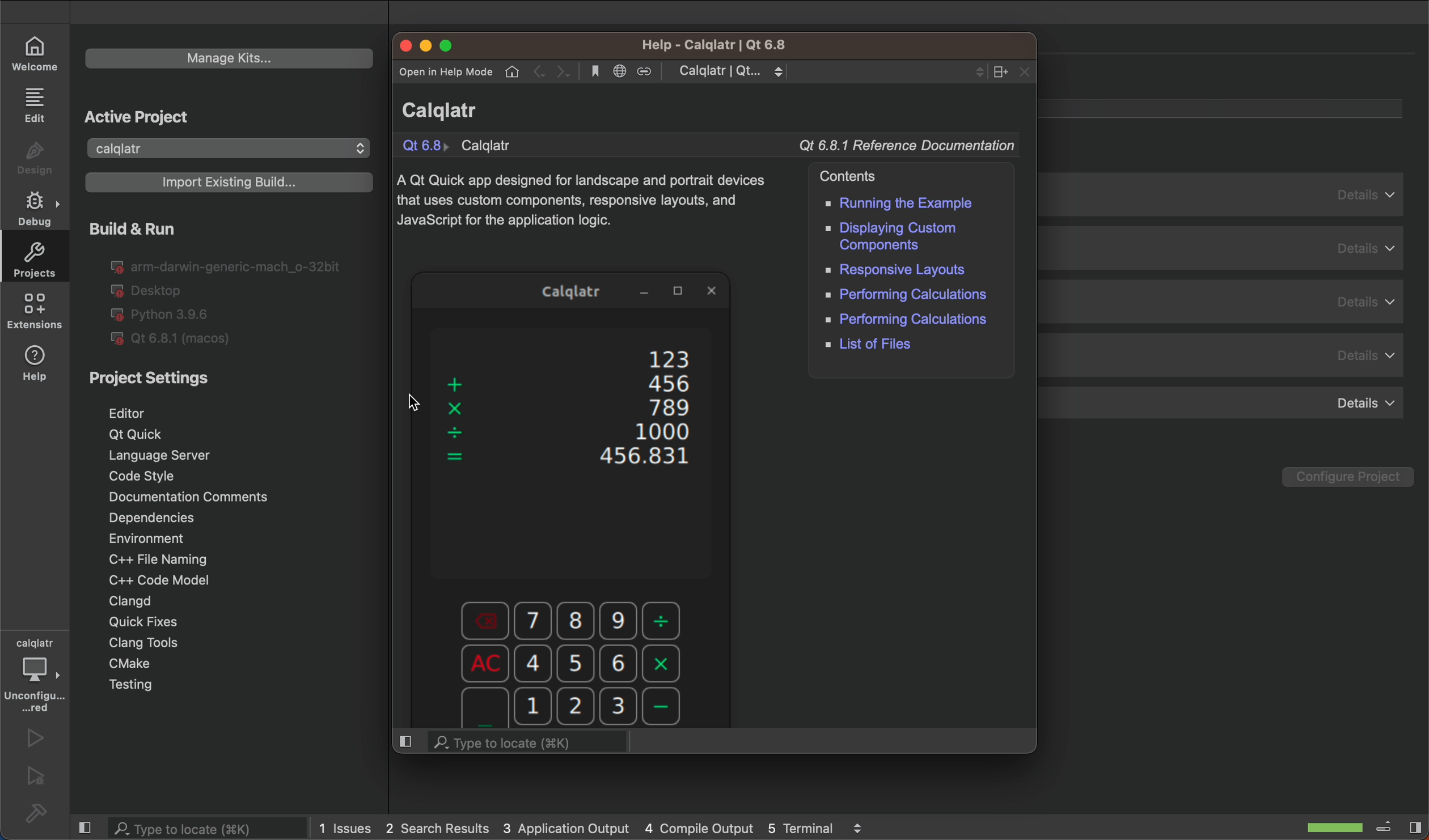 Image resolution: width=1429 pixels, height=840 pixels. What do you see at coordinates (143, 434) in the screenshot?
I see `qt quick` at bounding box center [143, 434].